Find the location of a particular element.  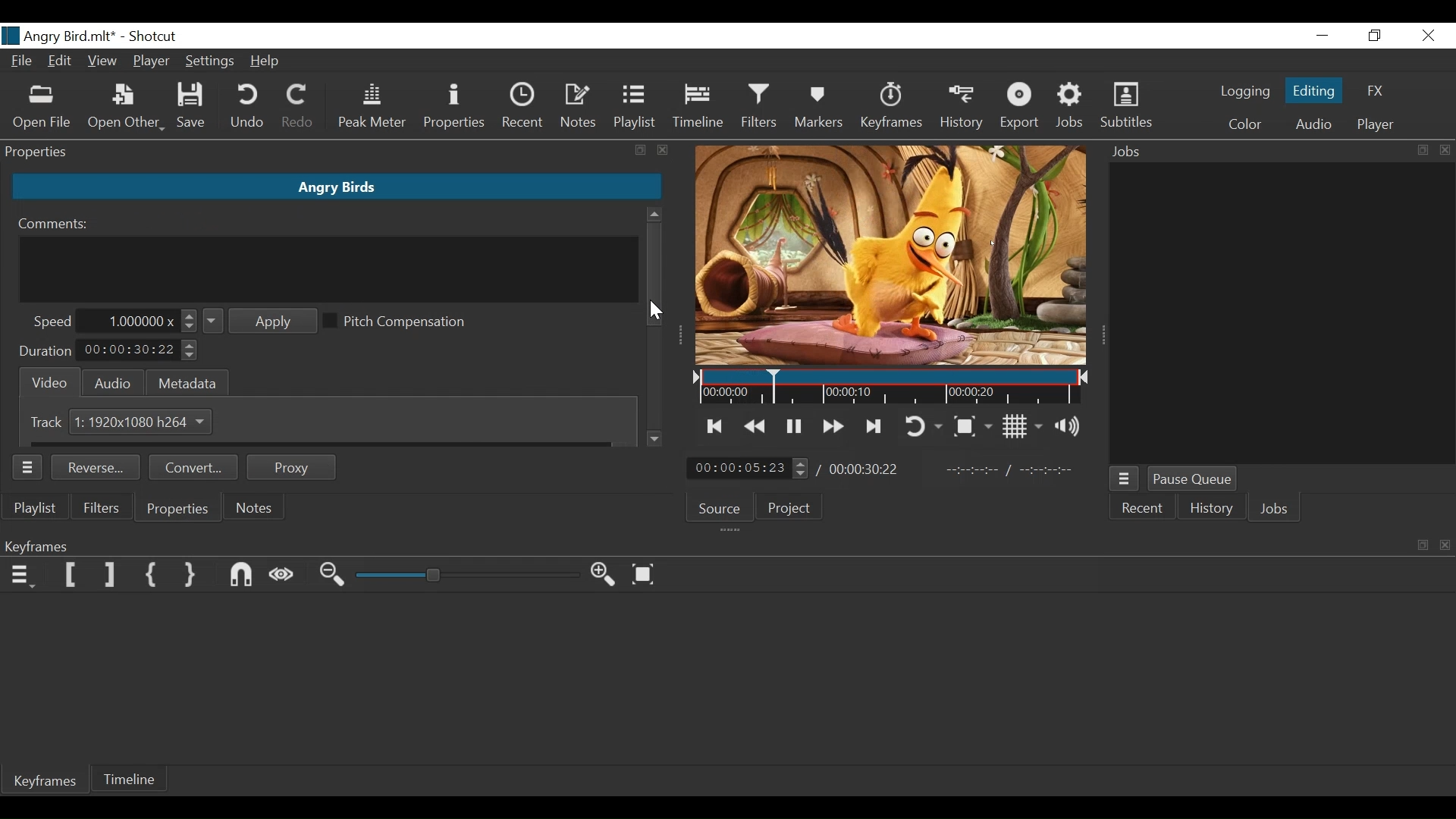

Recent is located at coordinates (521, 107).